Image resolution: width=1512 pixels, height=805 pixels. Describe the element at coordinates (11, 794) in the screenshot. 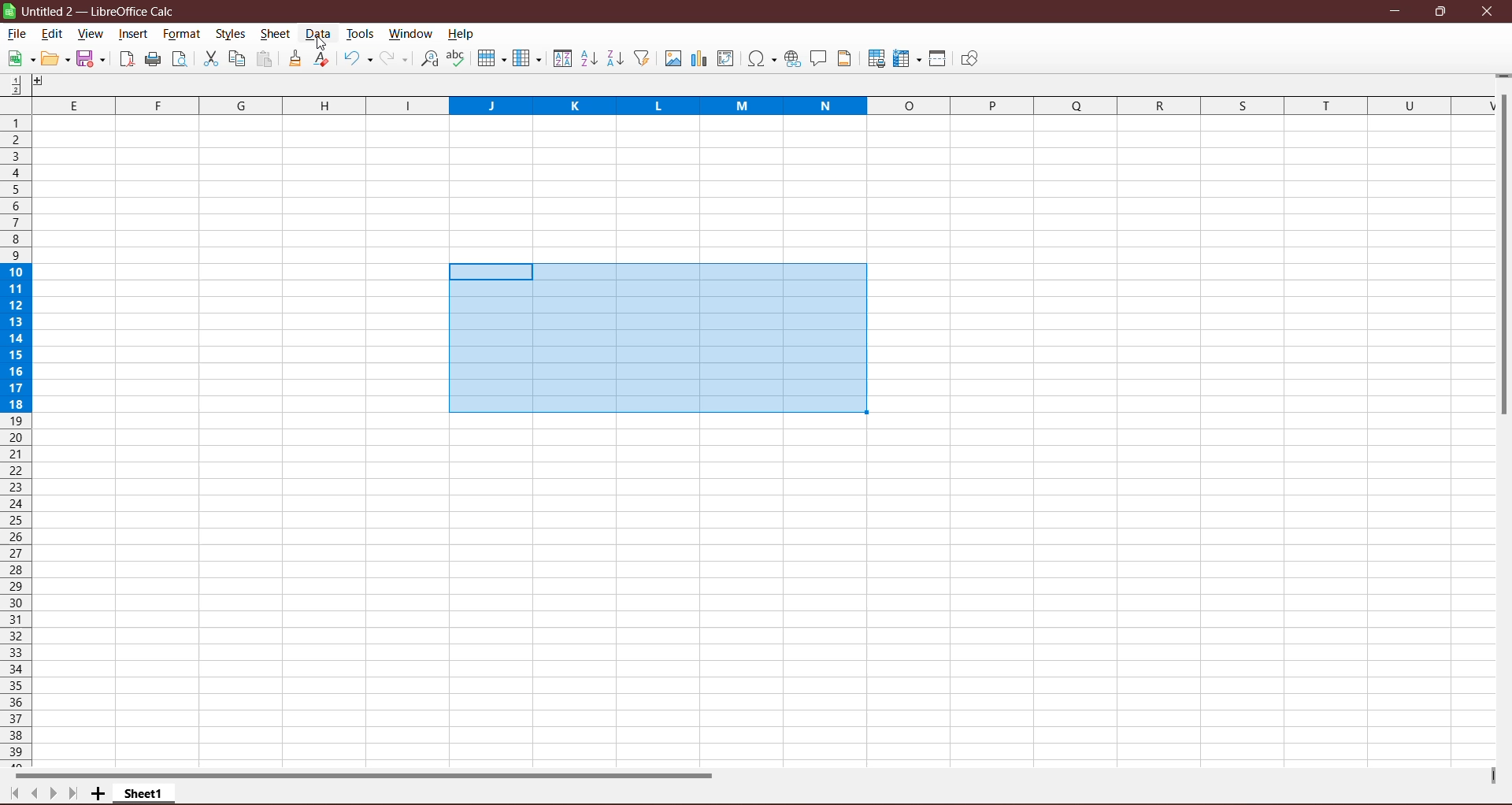

I see `Scroll to first page` at that location.